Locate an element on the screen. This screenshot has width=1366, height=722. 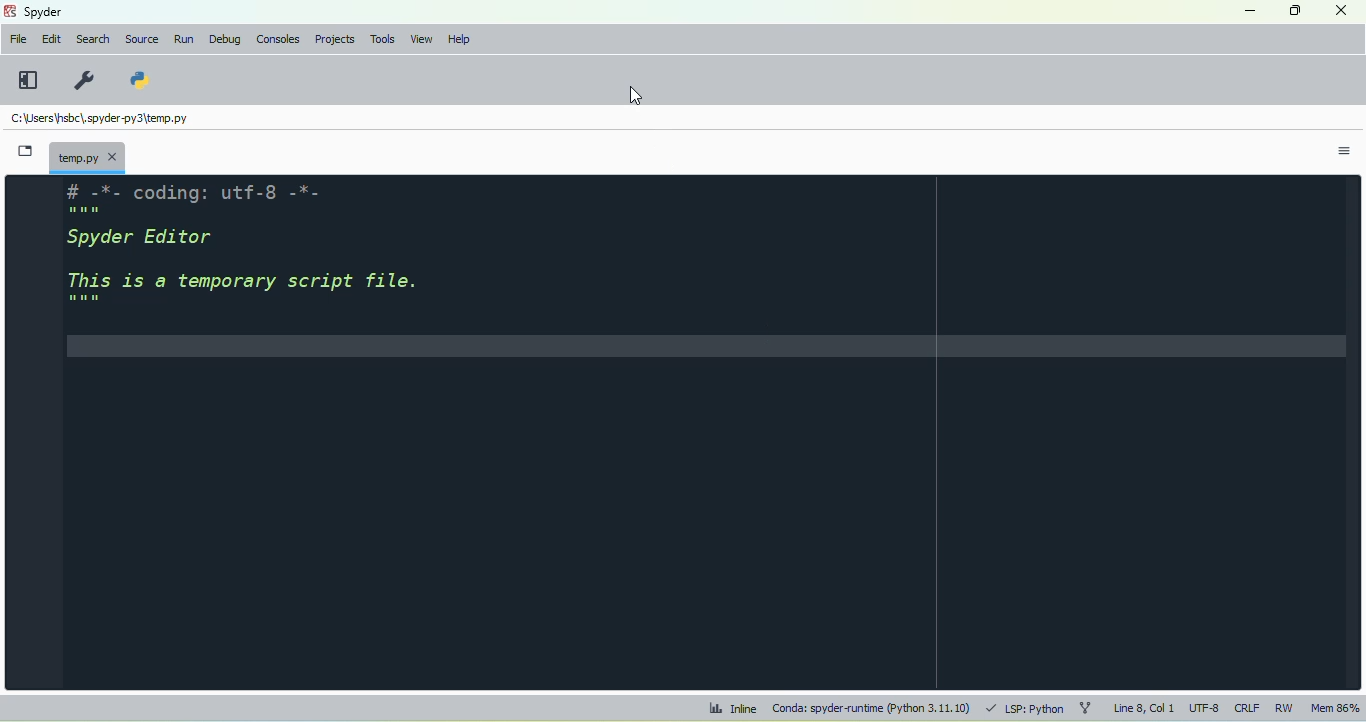
file is located at coordinates (19, 39).